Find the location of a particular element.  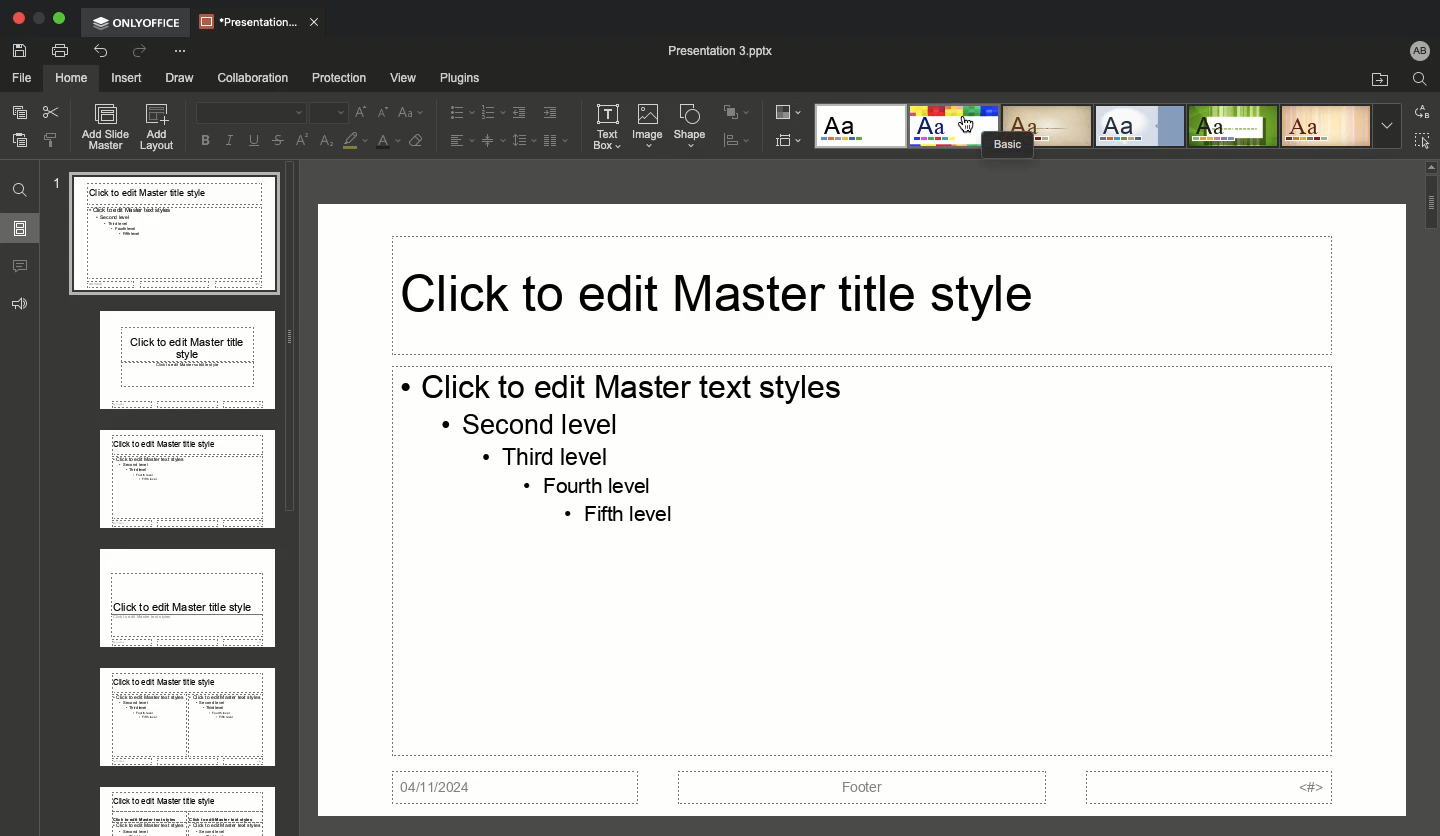

Blank style is located at coordinates (860, 127).